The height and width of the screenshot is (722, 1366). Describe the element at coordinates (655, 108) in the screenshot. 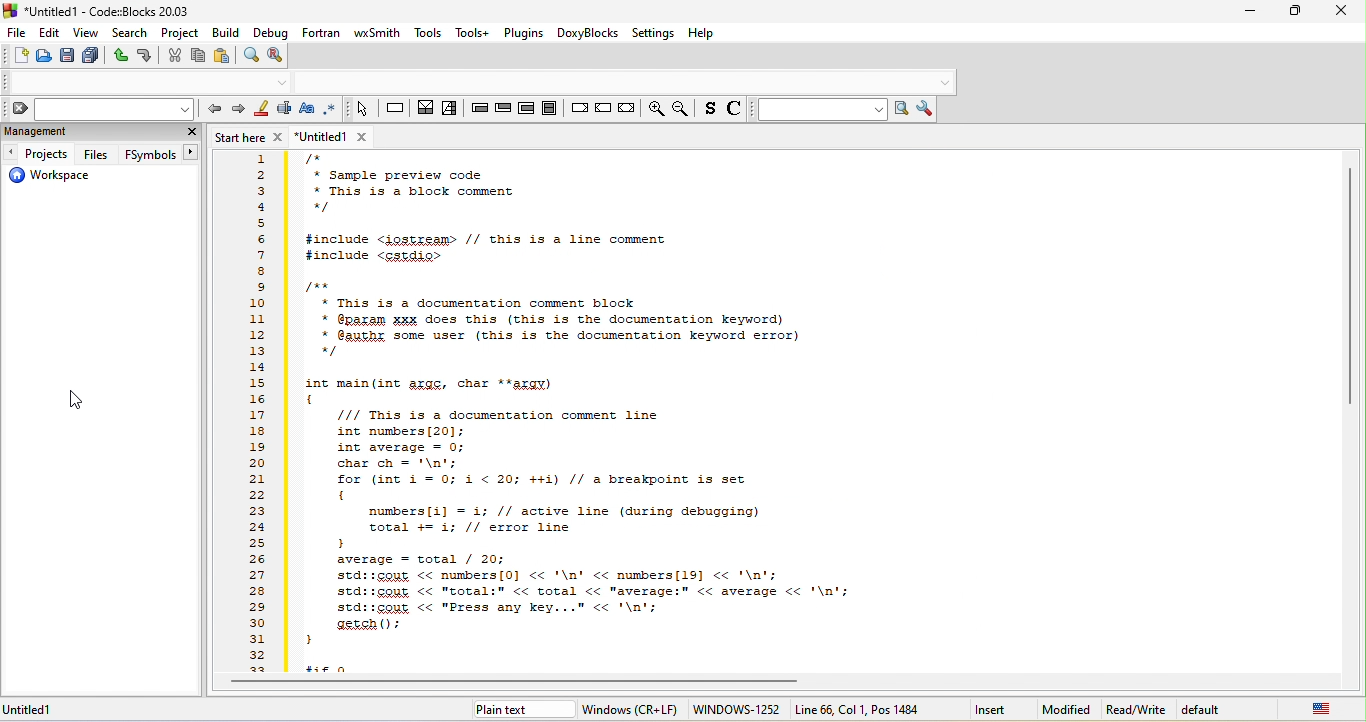

I see `zoom in` at that location.